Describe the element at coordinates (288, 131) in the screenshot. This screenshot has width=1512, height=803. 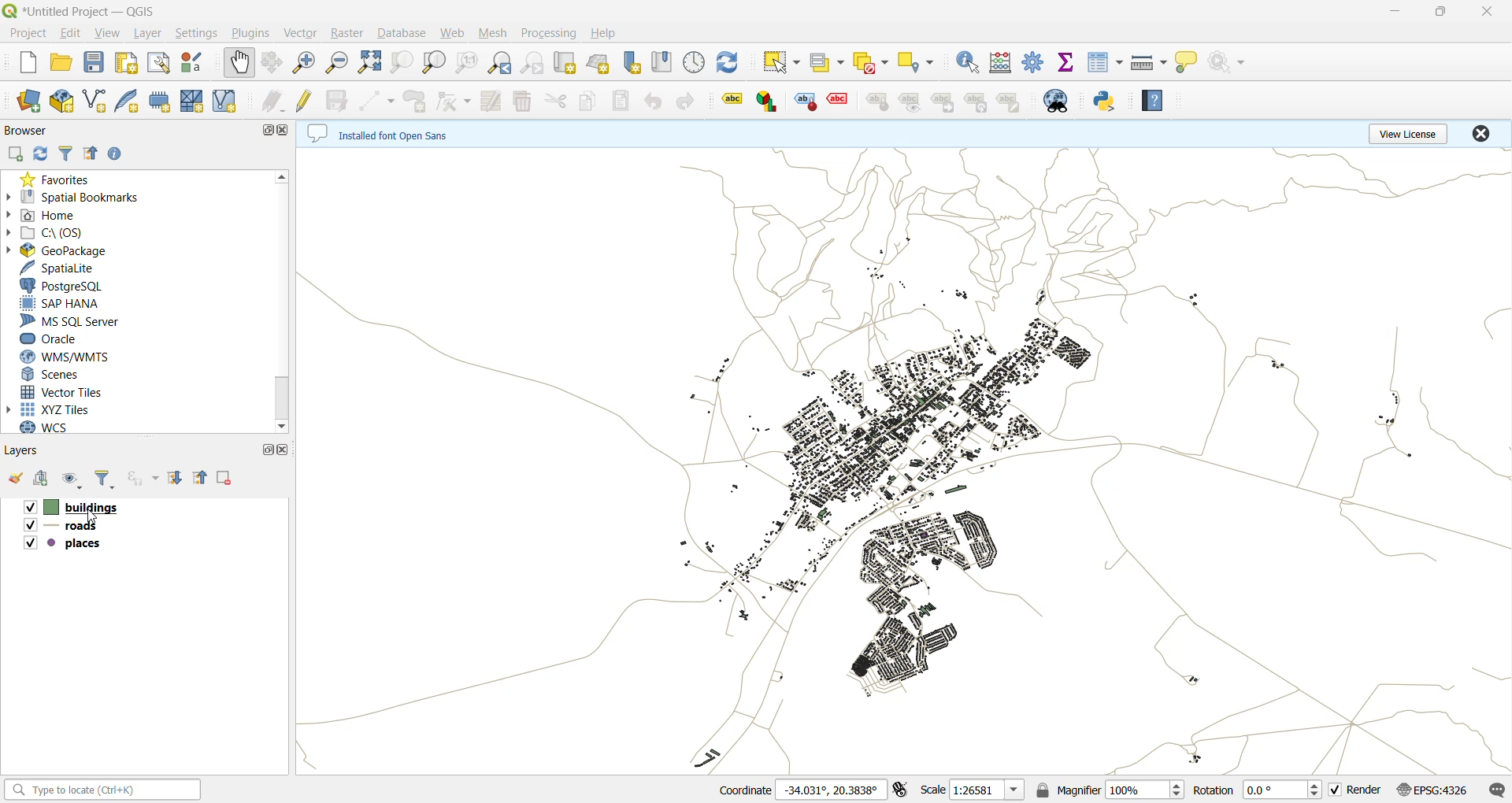
I see `close` at that location.